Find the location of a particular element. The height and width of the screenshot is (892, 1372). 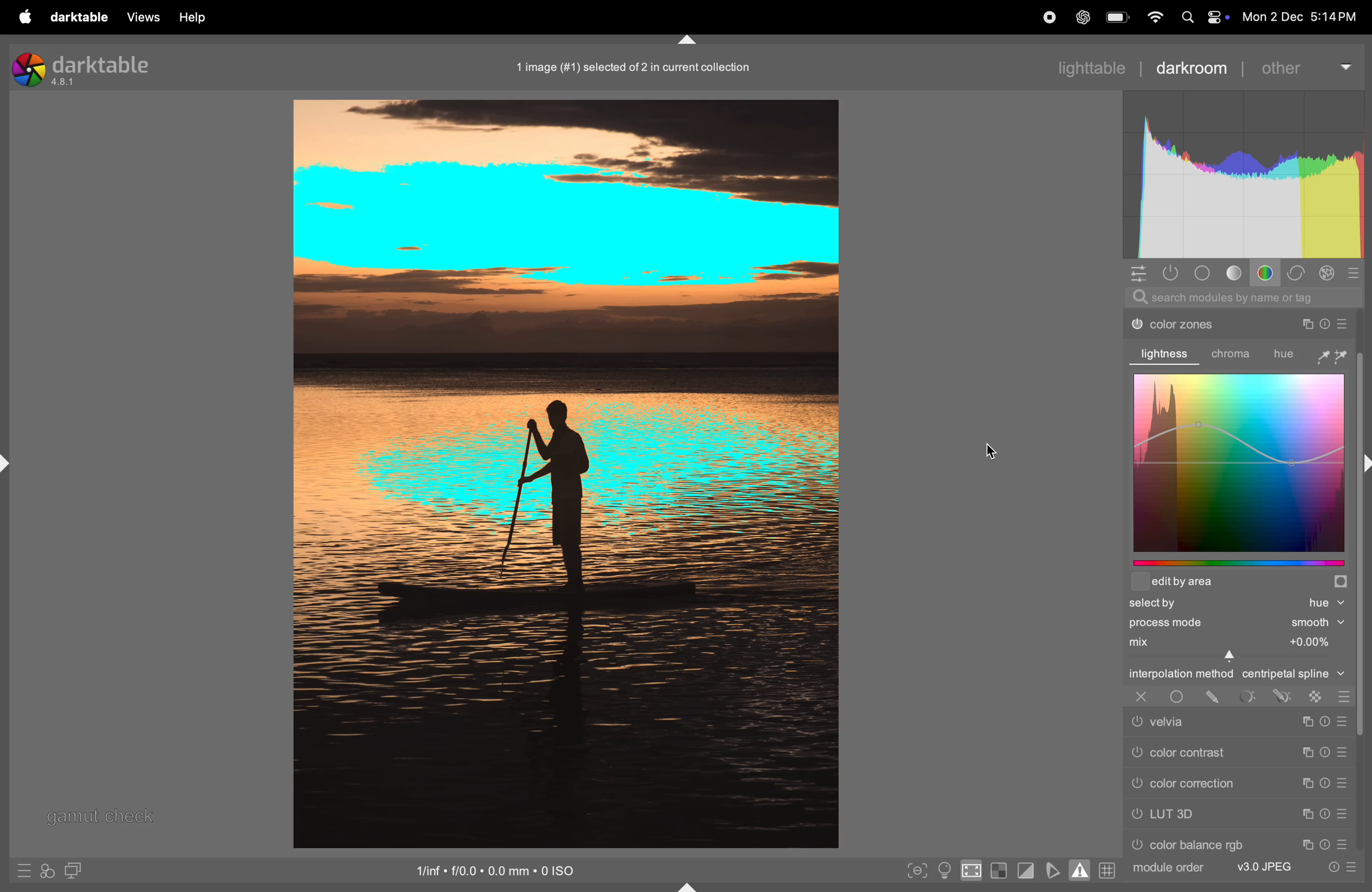

color rgb balance is located at coordinates (1208, 843).